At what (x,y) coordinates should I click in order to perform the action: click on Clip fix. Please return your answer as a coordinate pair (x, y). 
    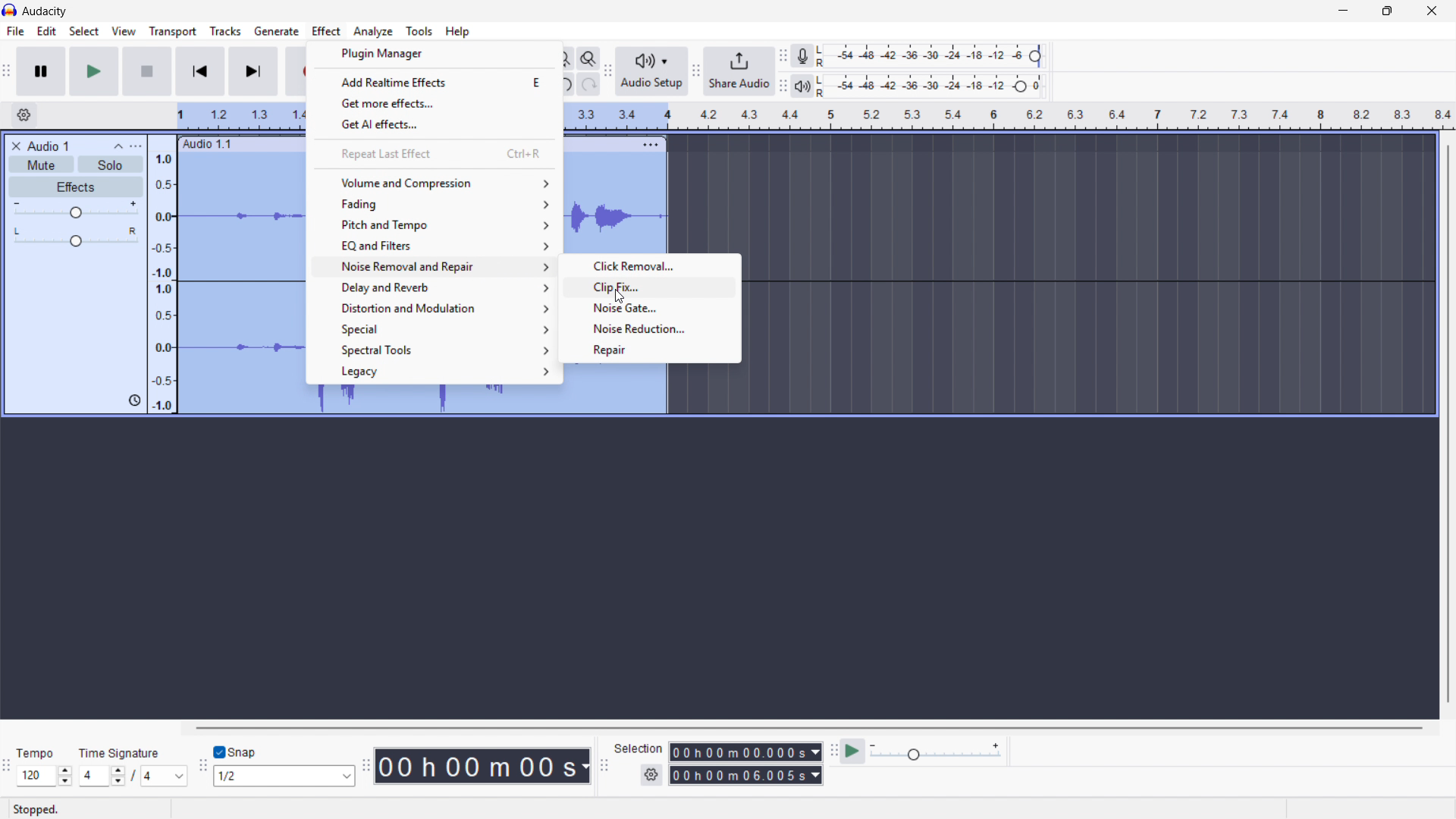
    Looking at the image, I should click on (648, 285).